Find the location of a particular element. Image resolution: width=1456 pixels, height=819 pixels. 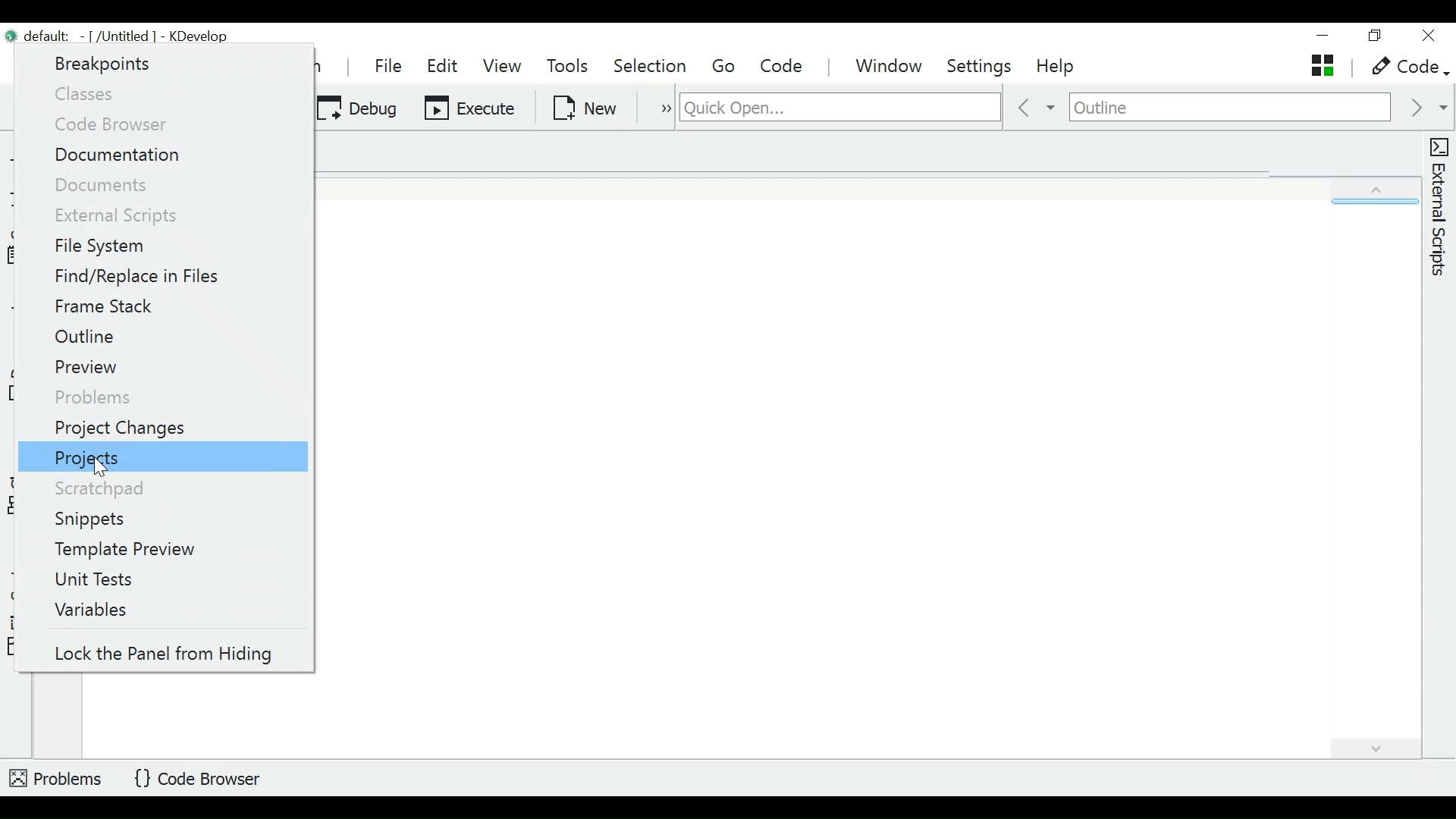

File name is located at coordinates (80, 36).